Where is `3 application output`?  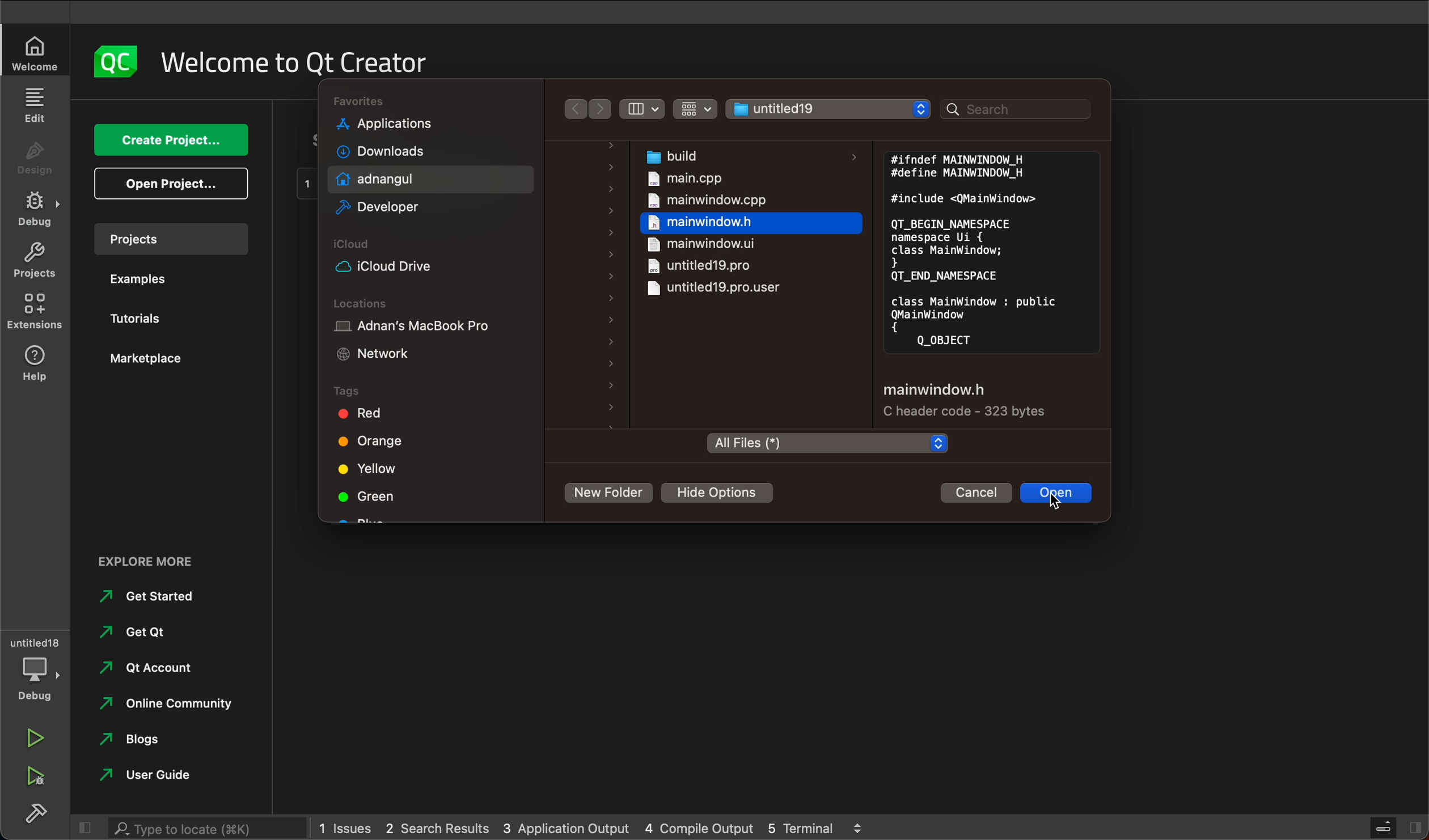
3 application output is located at coordinates (566, 826).